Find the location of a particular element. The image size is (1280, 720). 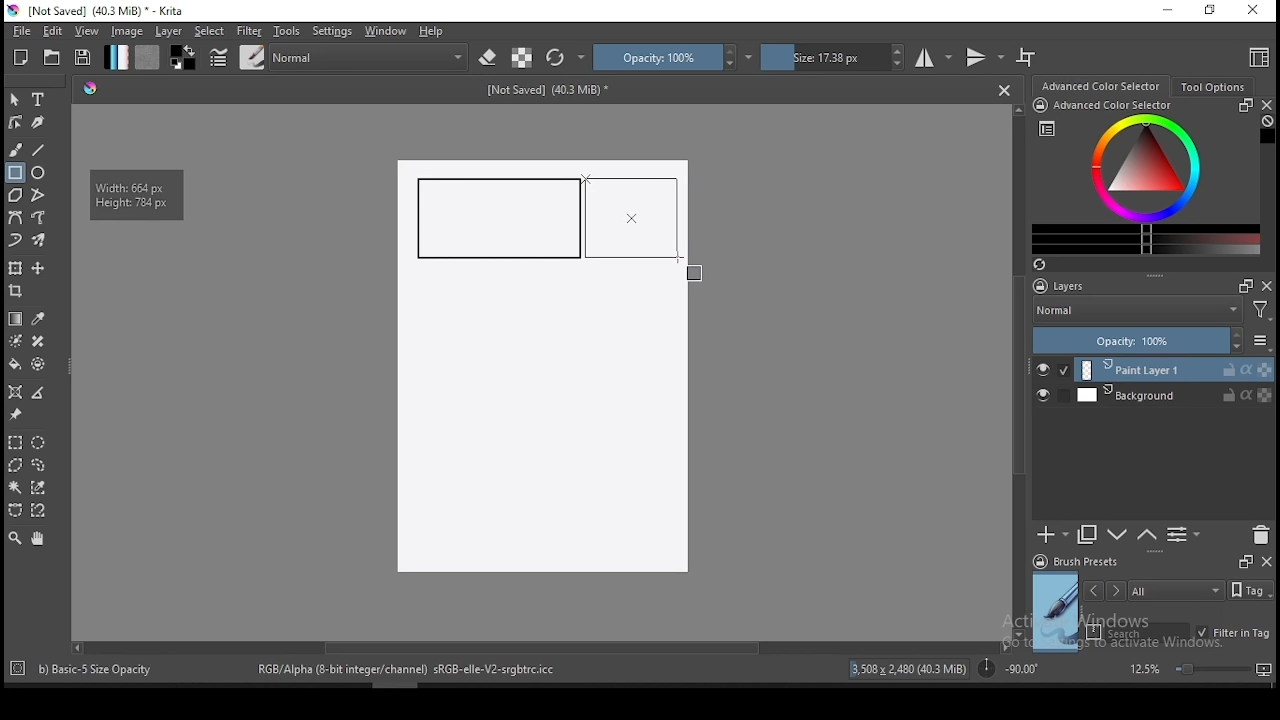

Target is located at coordinates (19, 669).